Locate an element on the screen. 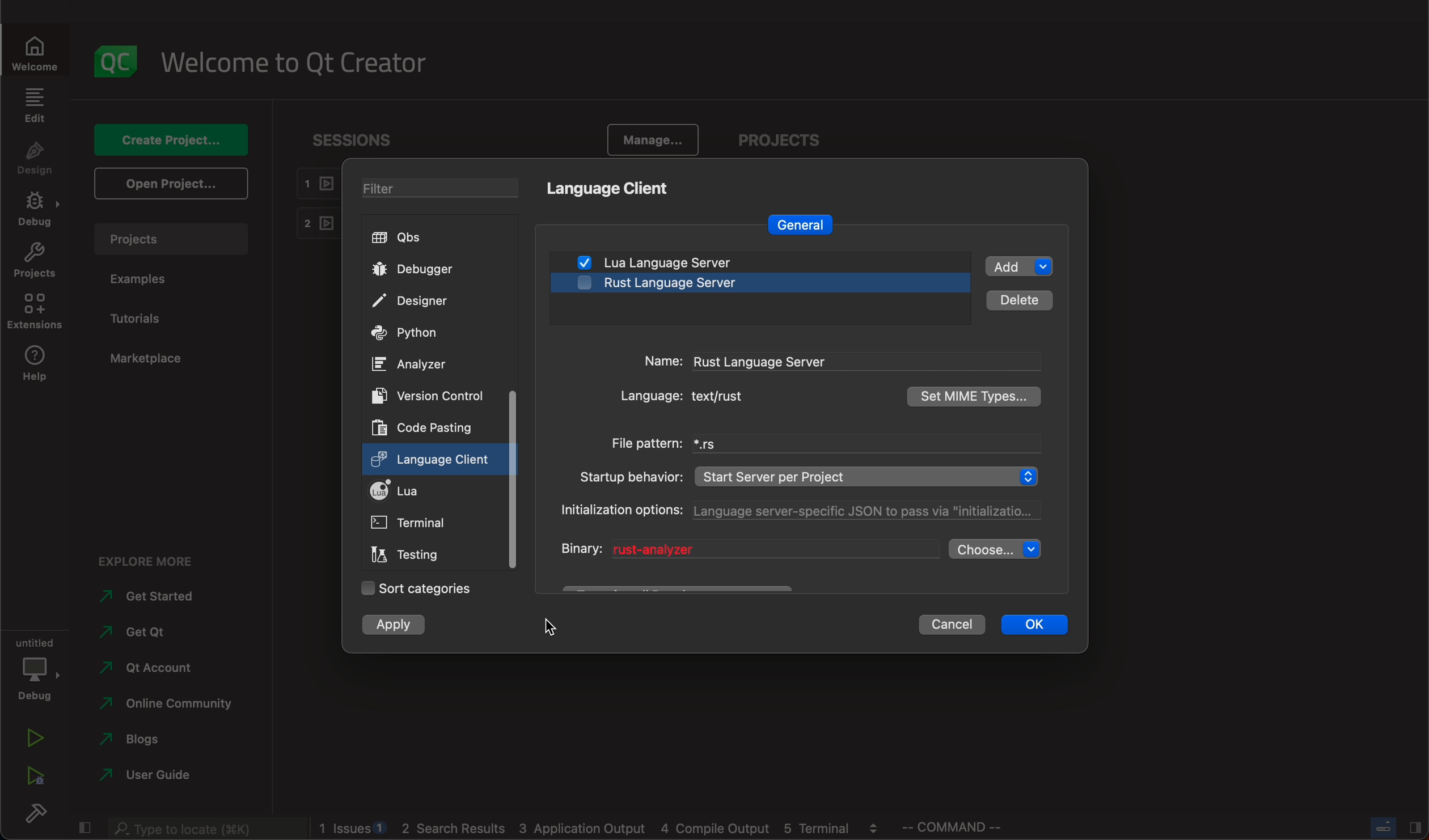  debugger is located at coordinates (414, 272).